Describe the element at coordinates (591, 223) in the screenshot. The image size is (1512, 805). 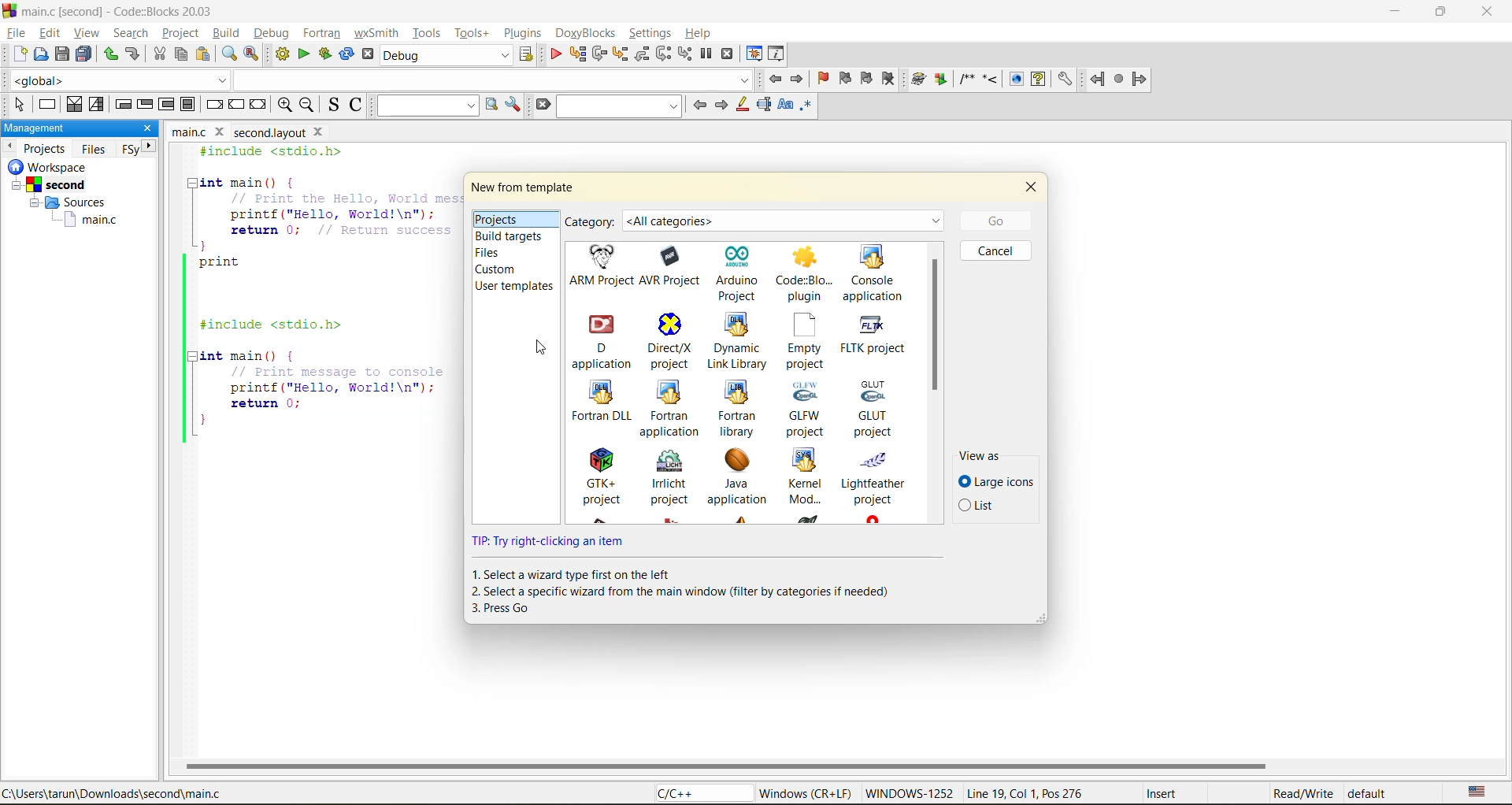
I see `category` at that location.